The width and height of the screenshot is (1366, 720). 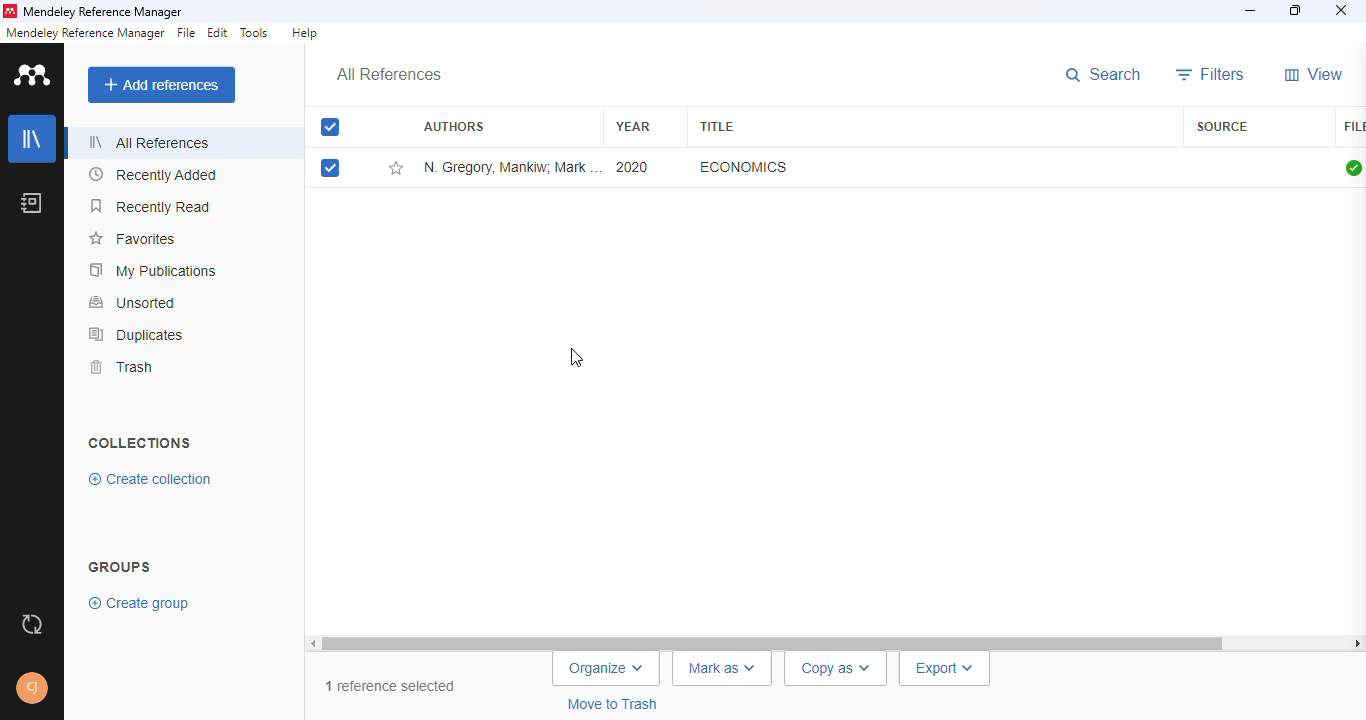 What do you see at coordinates (151, 141) in the screenshot?
I see `all references` at bounding box center [151, 141].